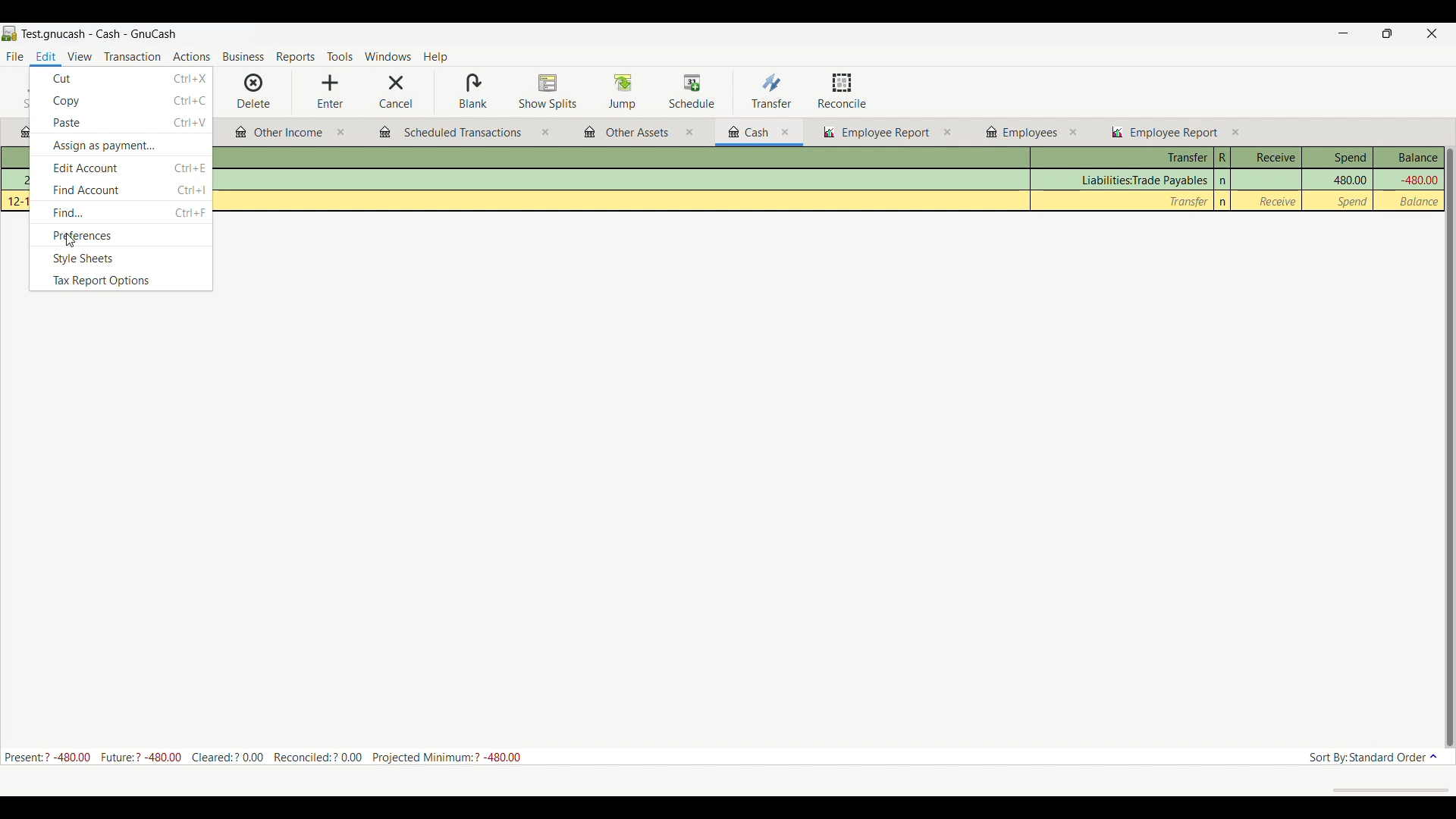 This screenshot has width=1456, height=819. Describe the element at coordinates (1387, 33) in the screenshot. I see `Show in smaller tab` at that location.